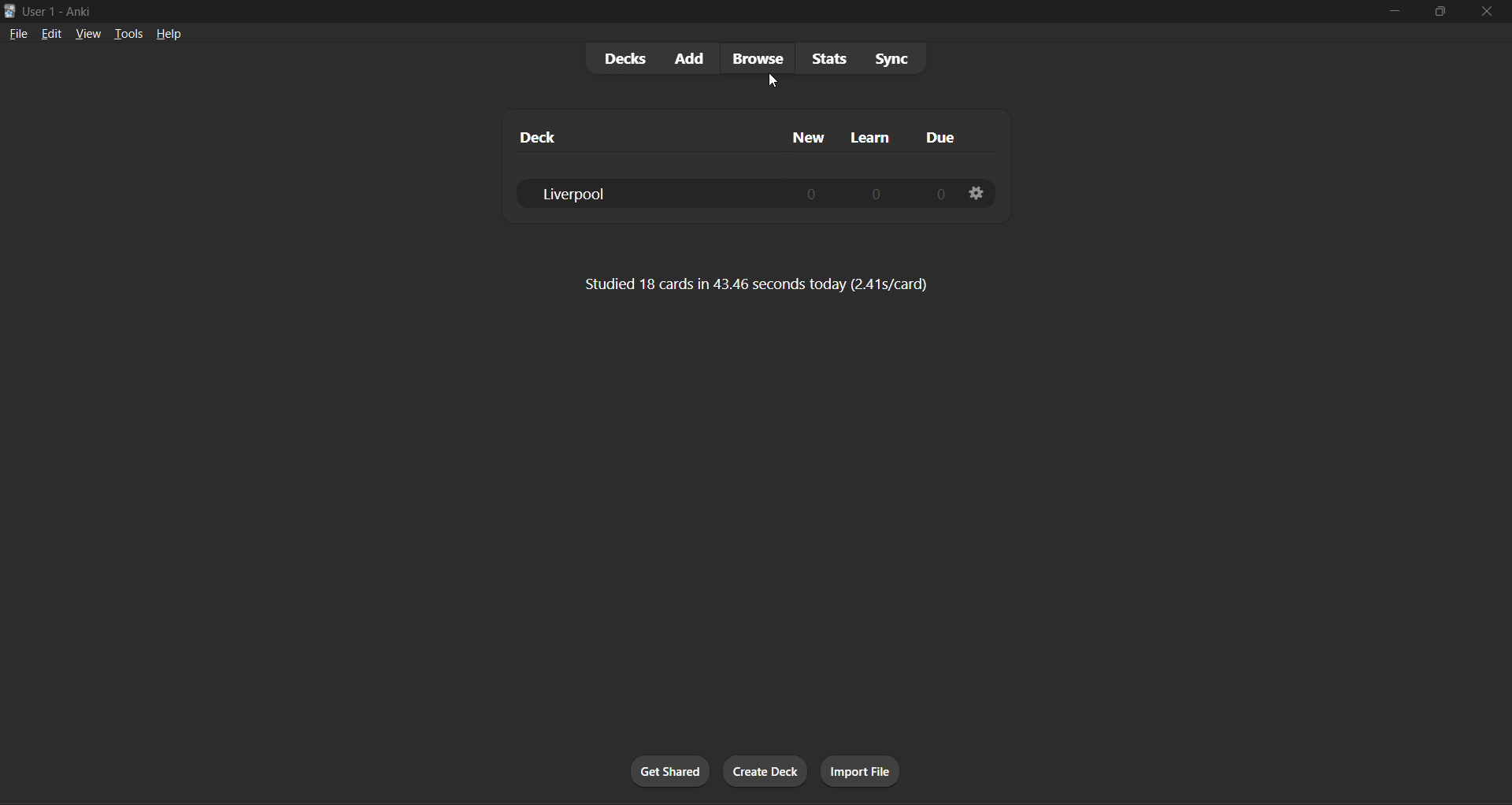 Image resolution: width=1512 pixels, height=805 pixels. What do you see at coordinates (128, 35) in the screenshot?
I see `tools` at bounding box center [128, 35].